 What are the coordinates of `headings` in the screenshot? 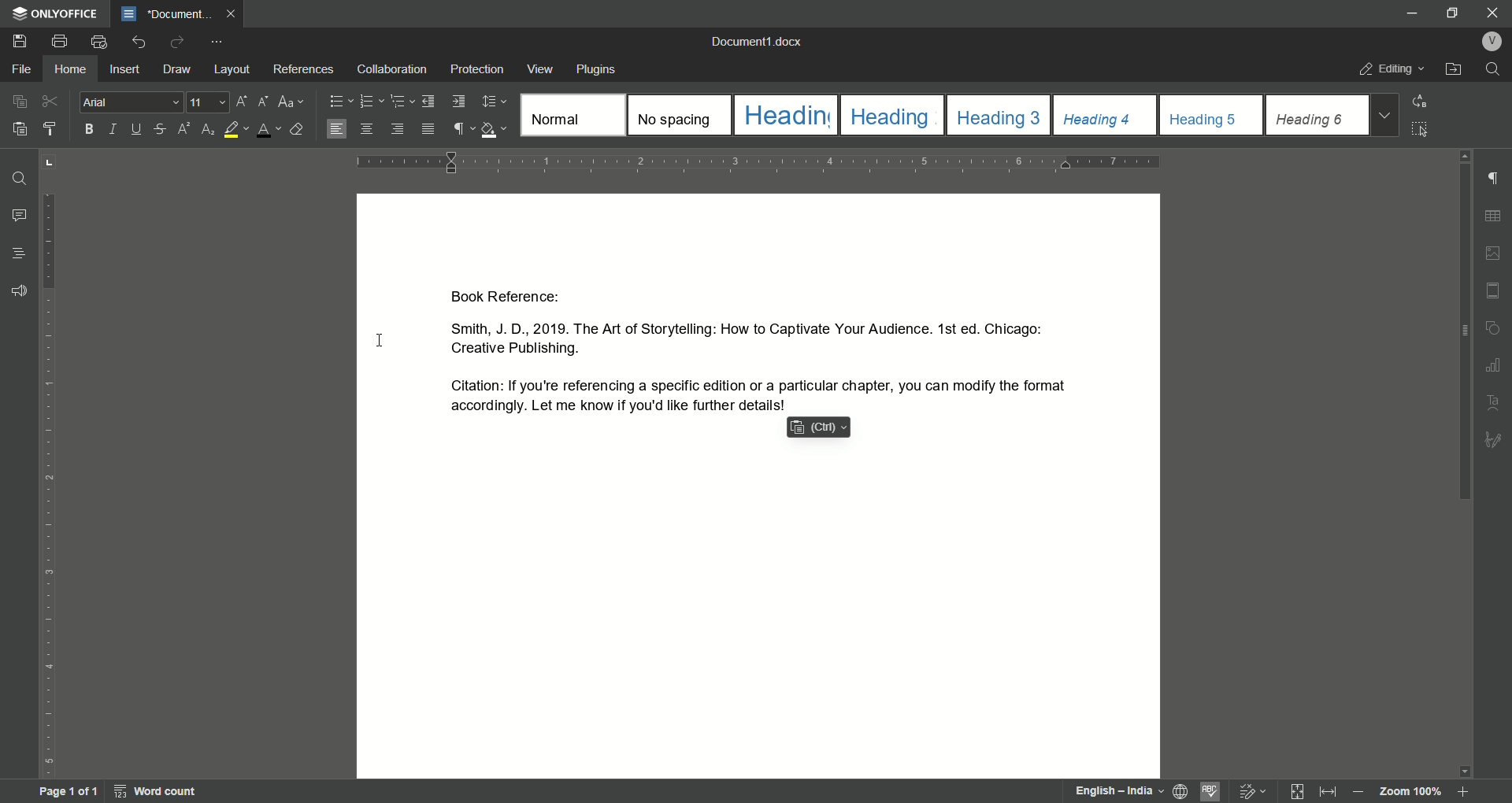 It's located at (784, 115).